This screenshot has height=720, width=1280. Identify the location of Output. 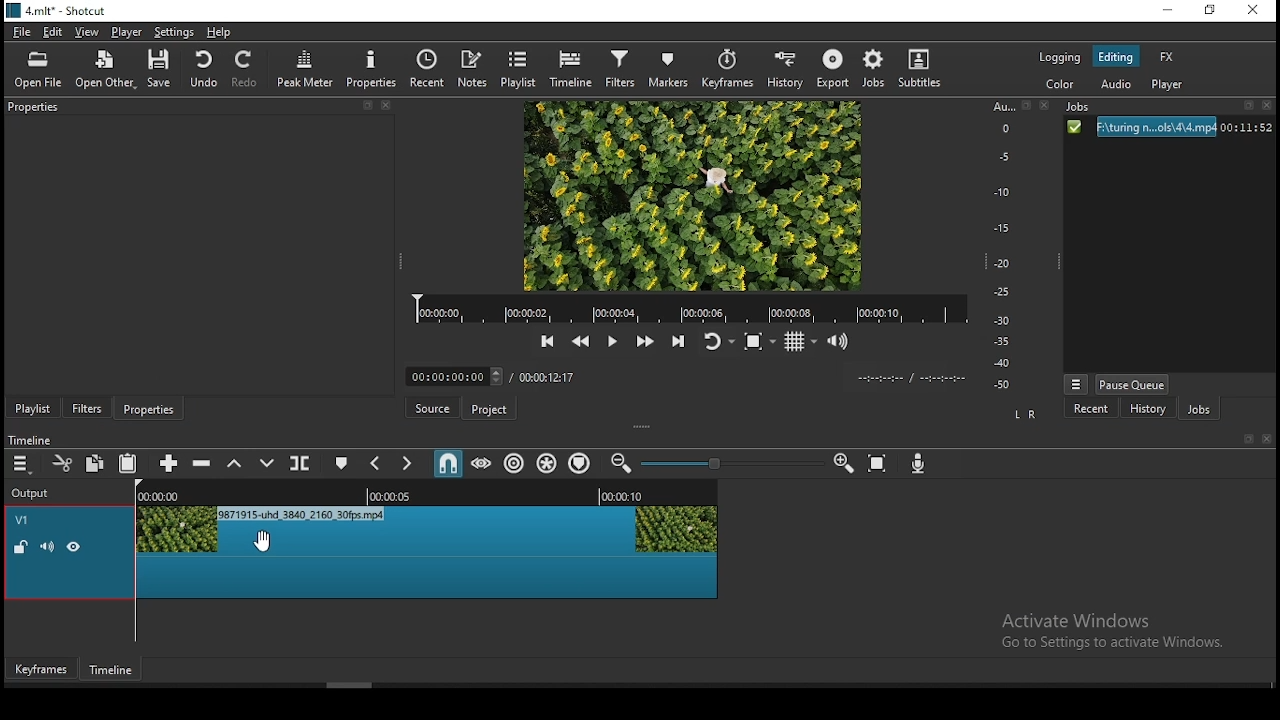
(31, 492).